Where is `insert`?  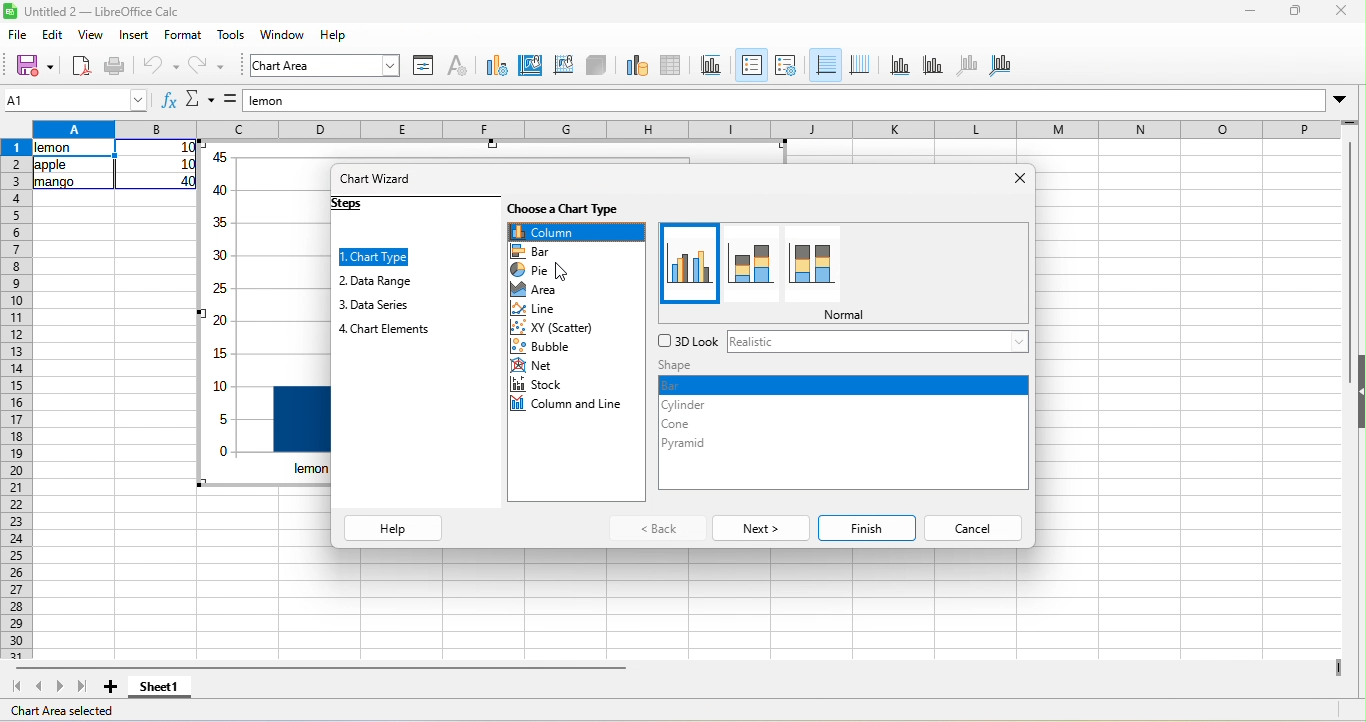 insert is located at coordinates (138, 37).